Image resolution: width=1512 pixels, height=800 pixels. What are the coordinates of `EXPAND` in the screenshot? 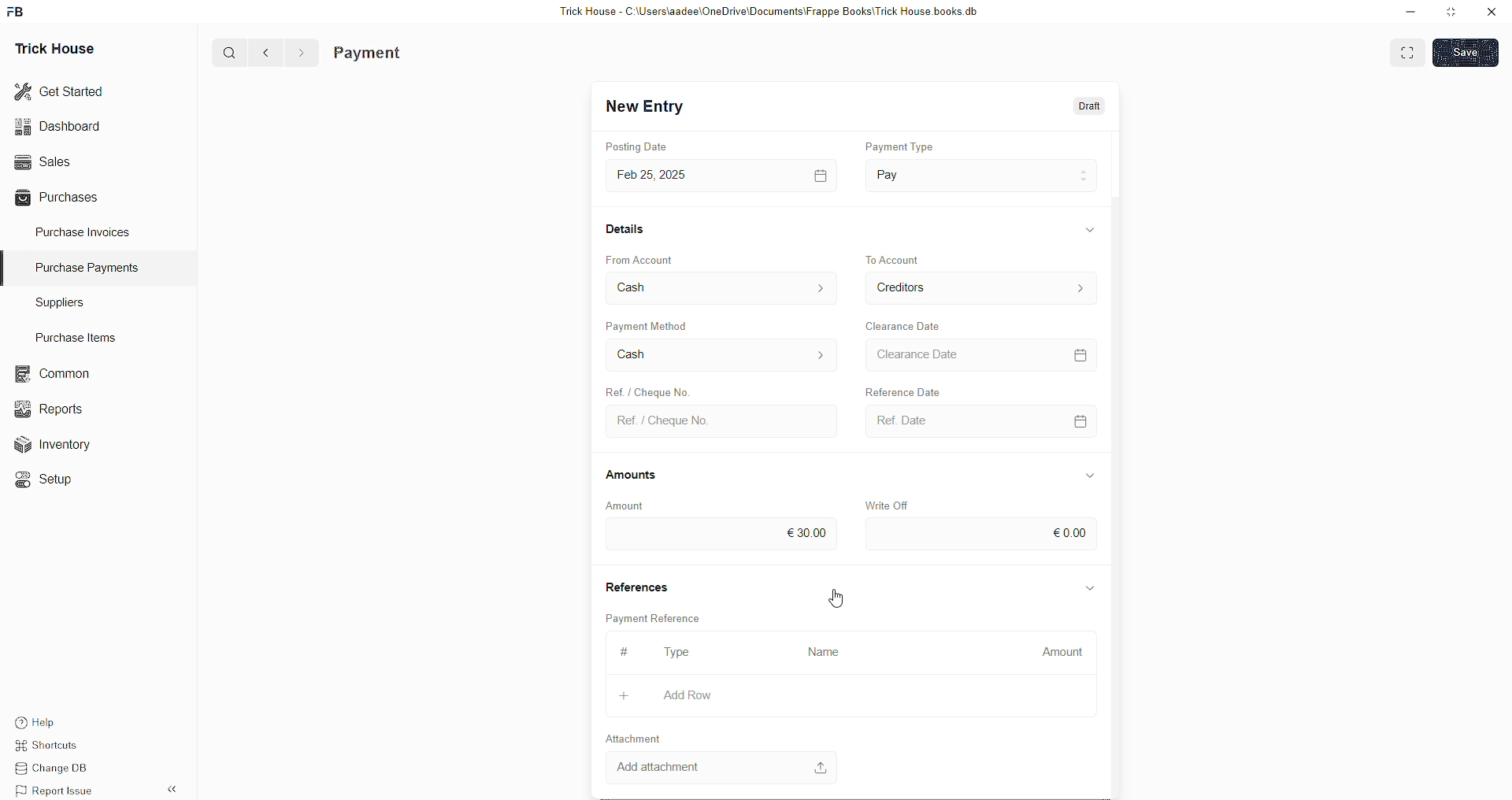 It's located at (1410, 51).